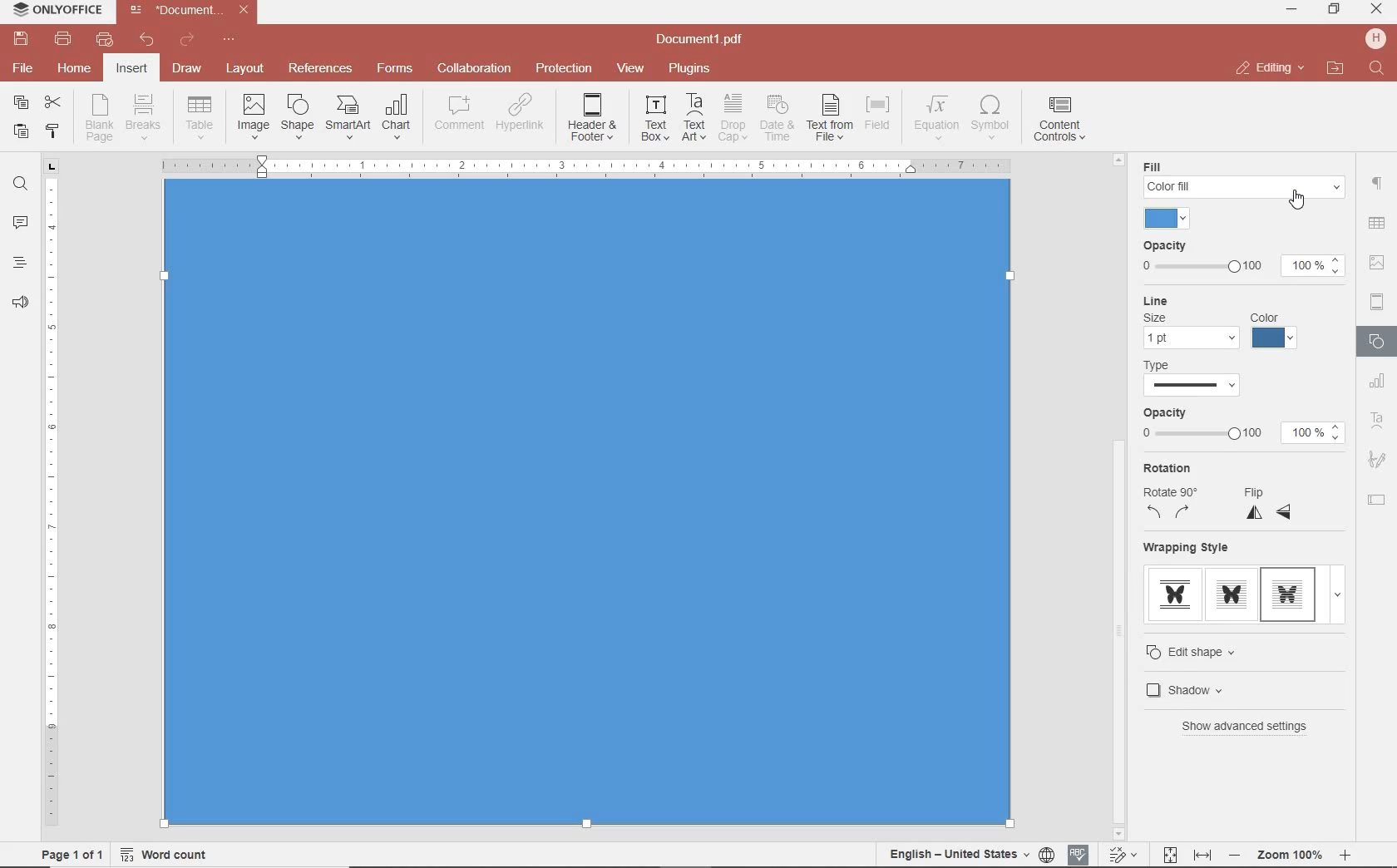 The image size is (1397, 868). I want to click on , so click(1113, 629).